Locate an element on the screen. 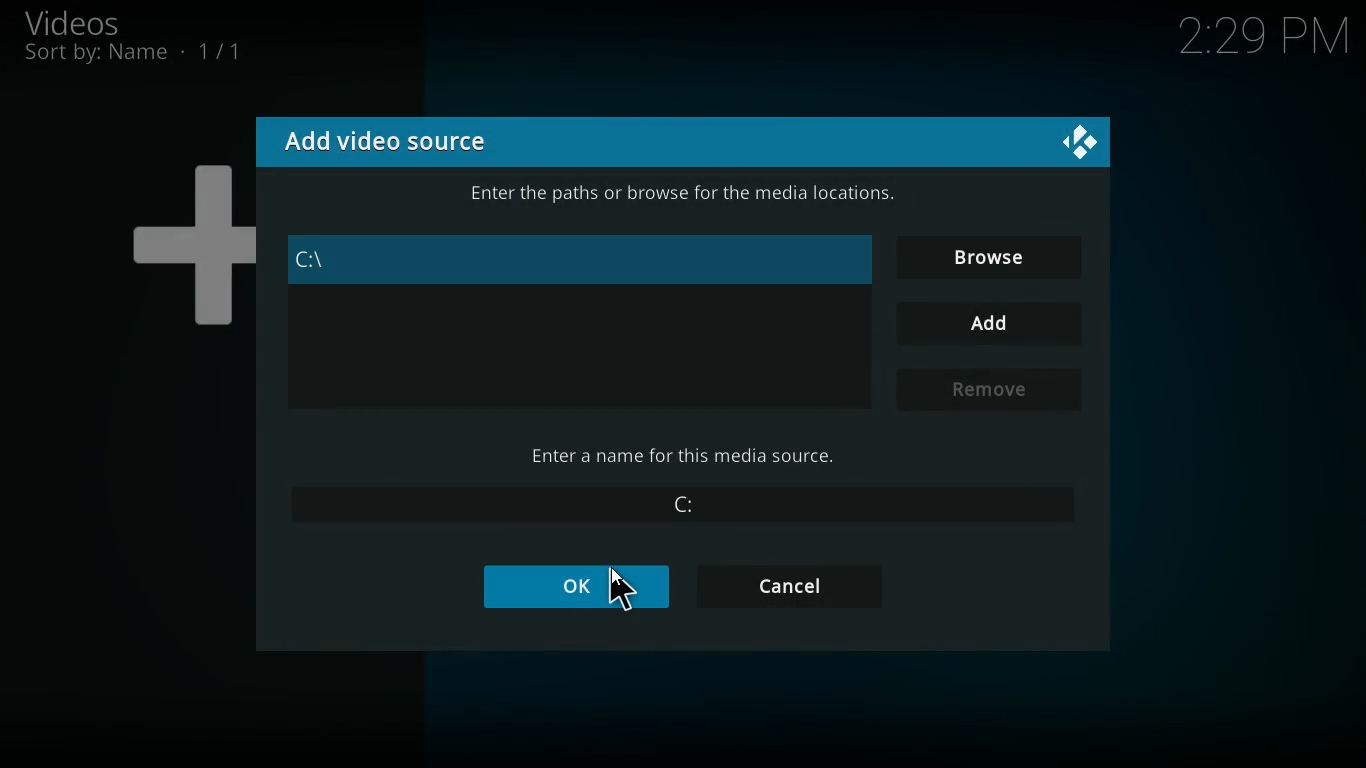 The height and width of the screenshot is (768, 1366). remove is located at coordinates (993, 393).